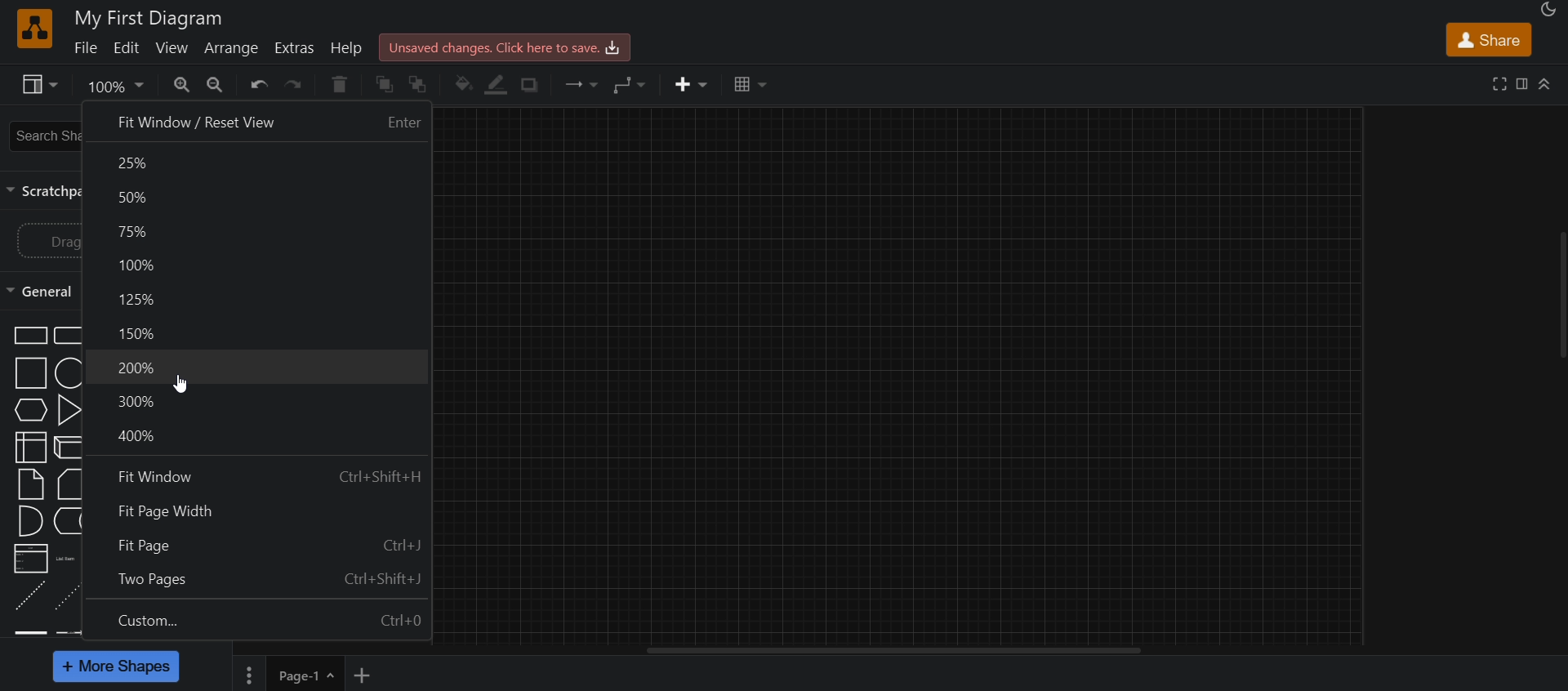 The width and height of the screenshot is (1568, 691). I want to click on scroll, so click(1557, 283).